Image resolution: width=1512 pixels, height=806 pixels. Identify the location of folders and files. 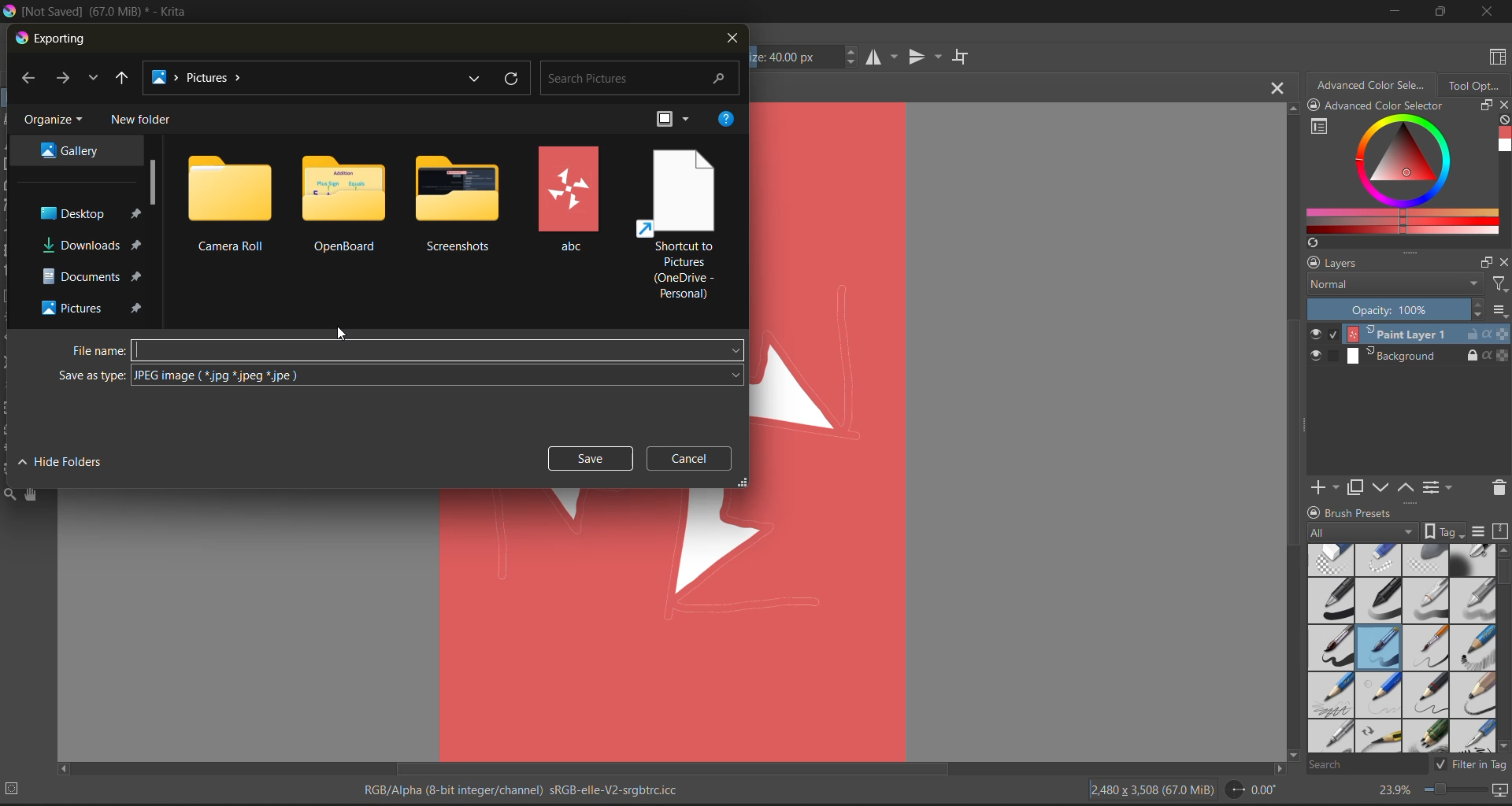
(678, 224).